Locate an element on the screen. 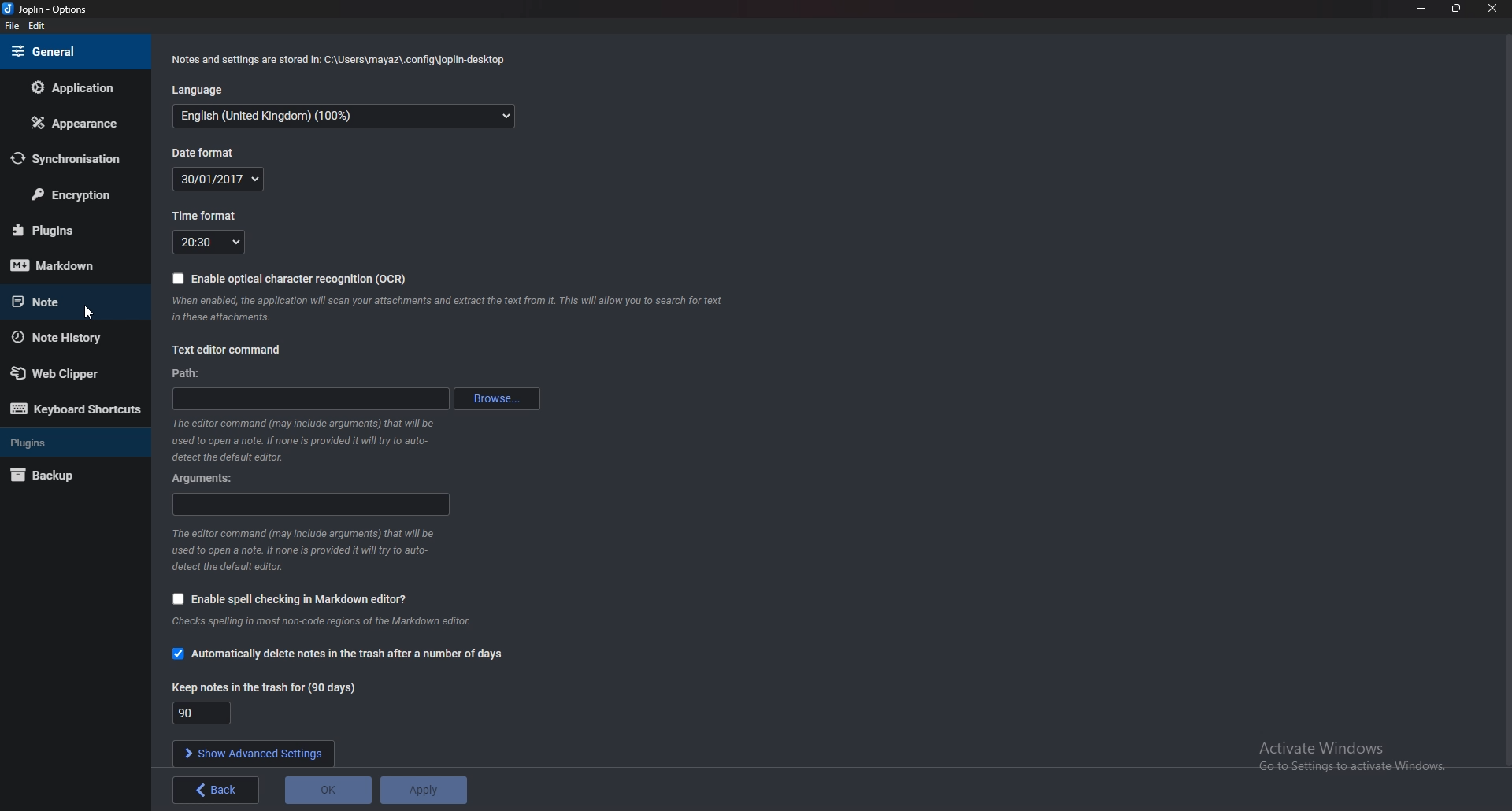  Minimize is located at coordinates (1420, 8).